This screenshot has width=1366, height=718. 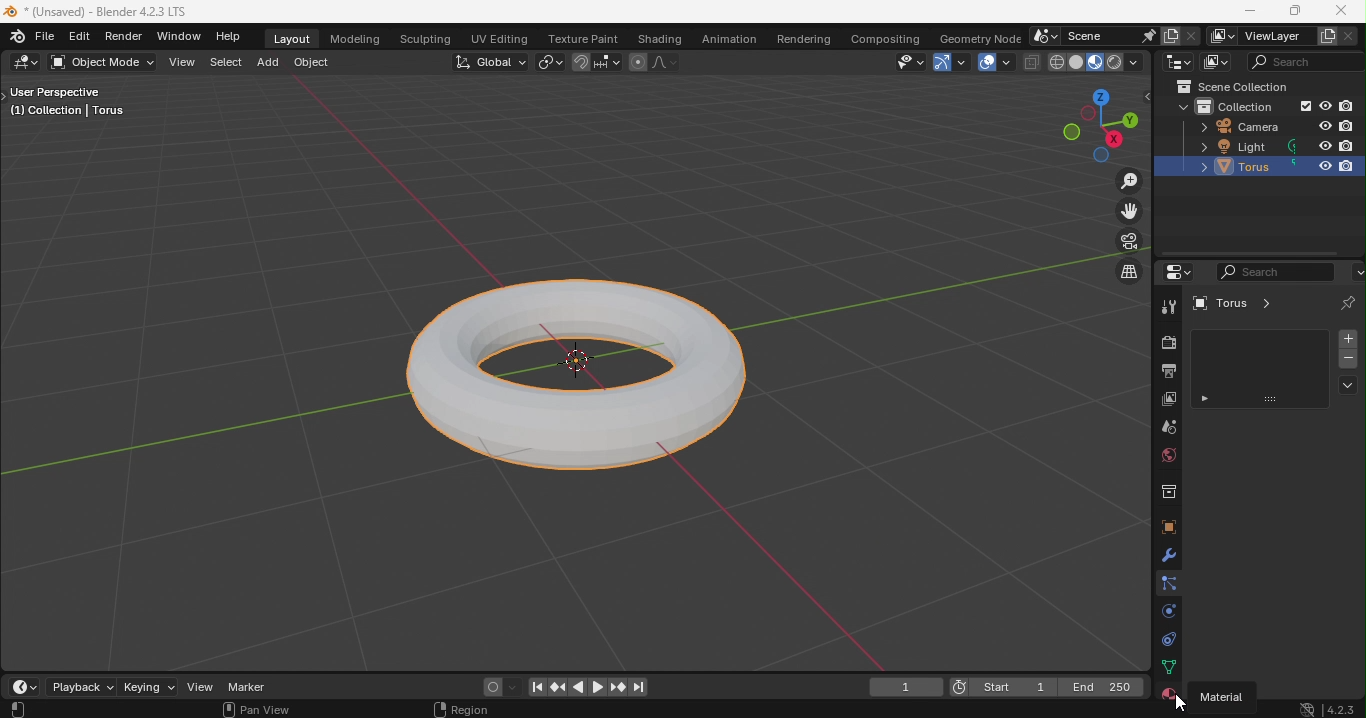 I want to click on File, so click(x=45, y=36).